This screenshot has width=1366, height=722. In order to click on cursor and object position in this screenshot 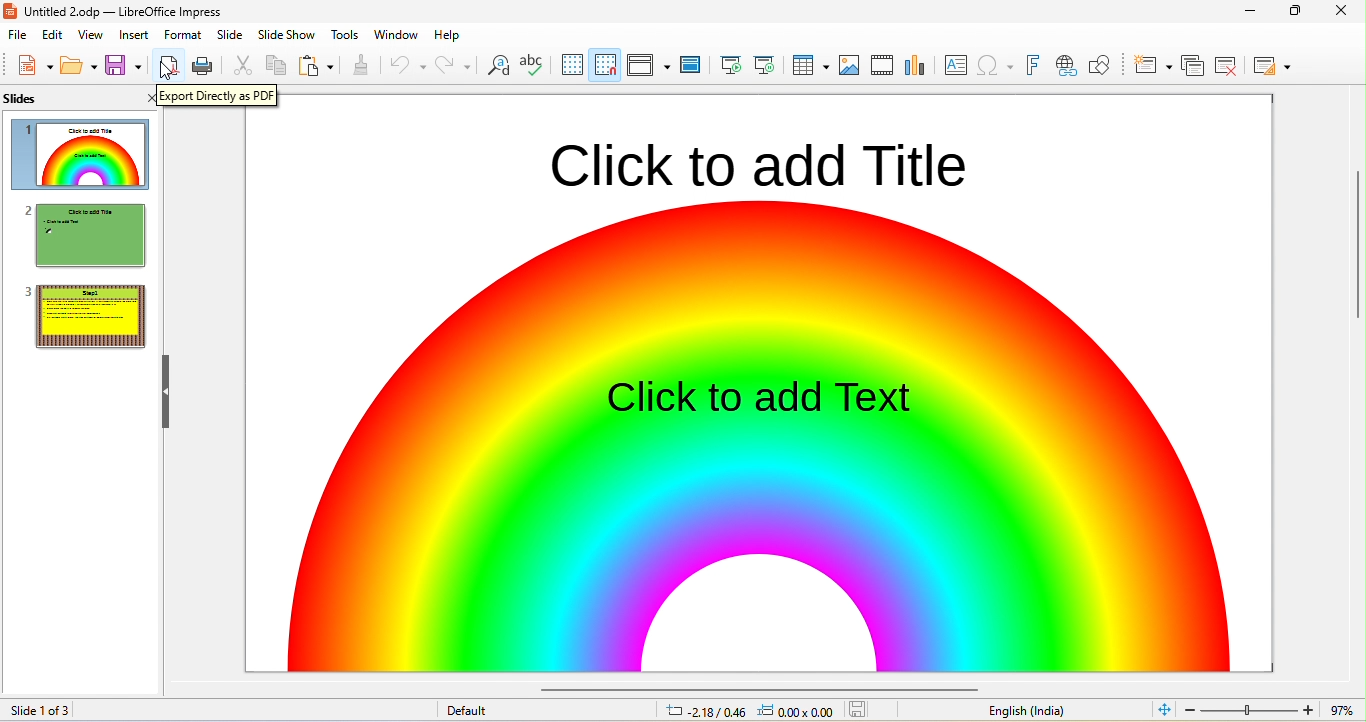, I will do `click(749, 711)`.